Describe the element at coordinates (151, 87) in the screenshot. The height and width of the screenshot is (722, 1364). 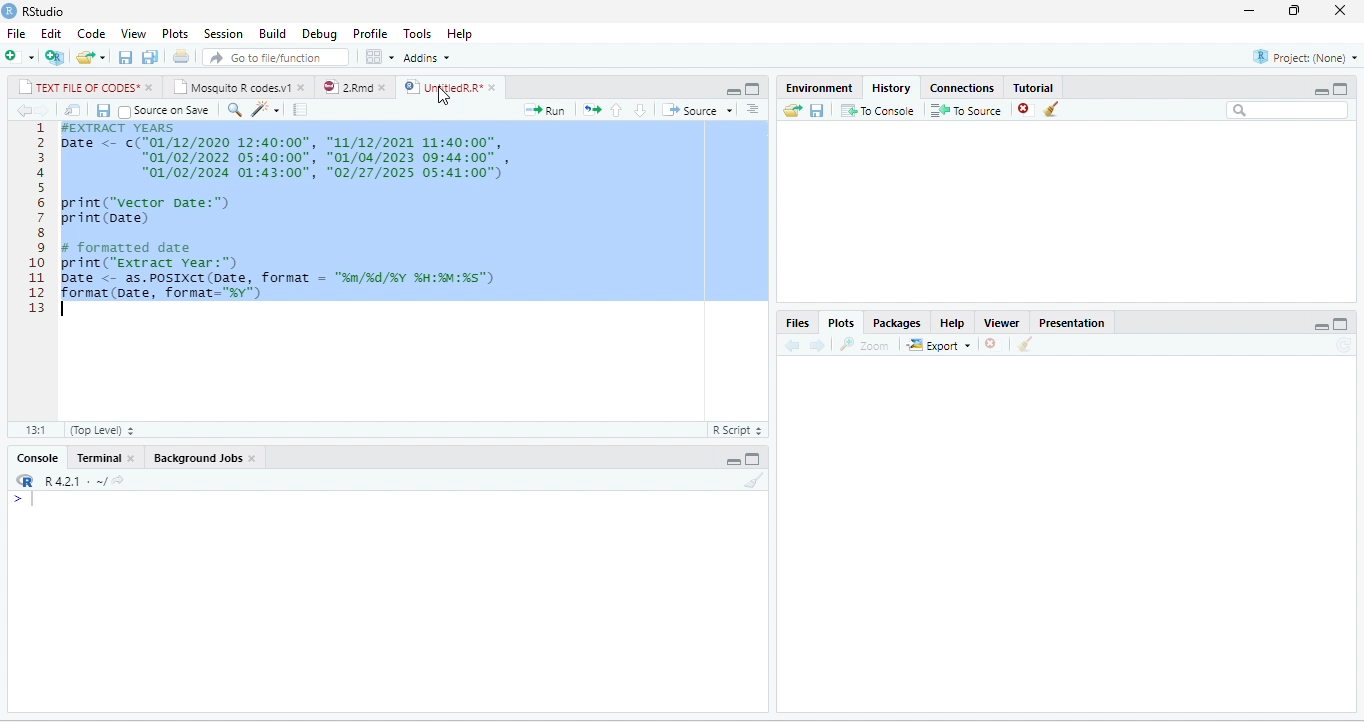
I see `close` at that location.